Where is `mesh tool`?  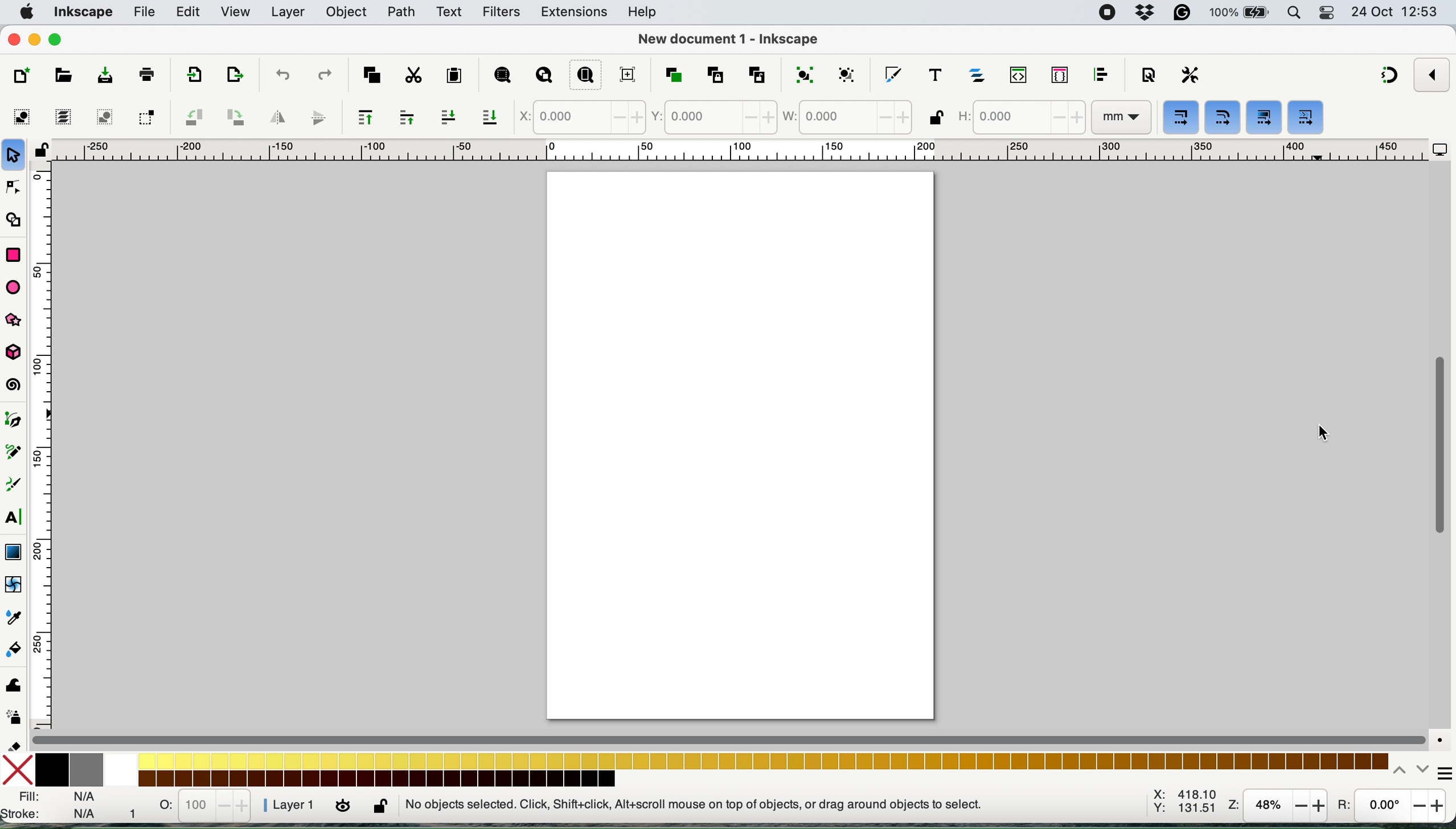
mesh tool is located at coordinates (16, 586).